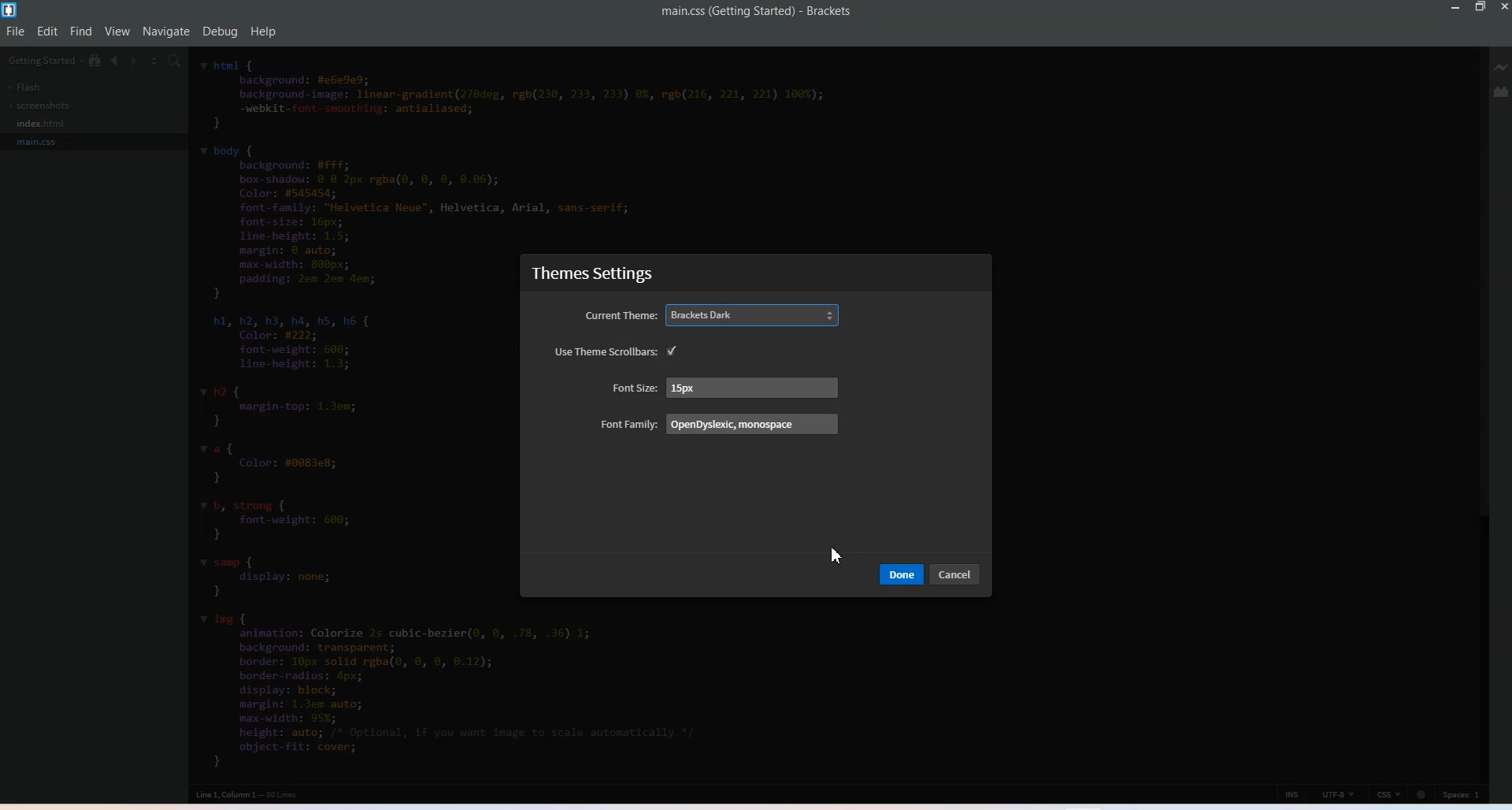 This screenshot has height=810, width=1512. Describe the element at coordinates (621, 317) in the screenshot. I see `Current theme` at that location.